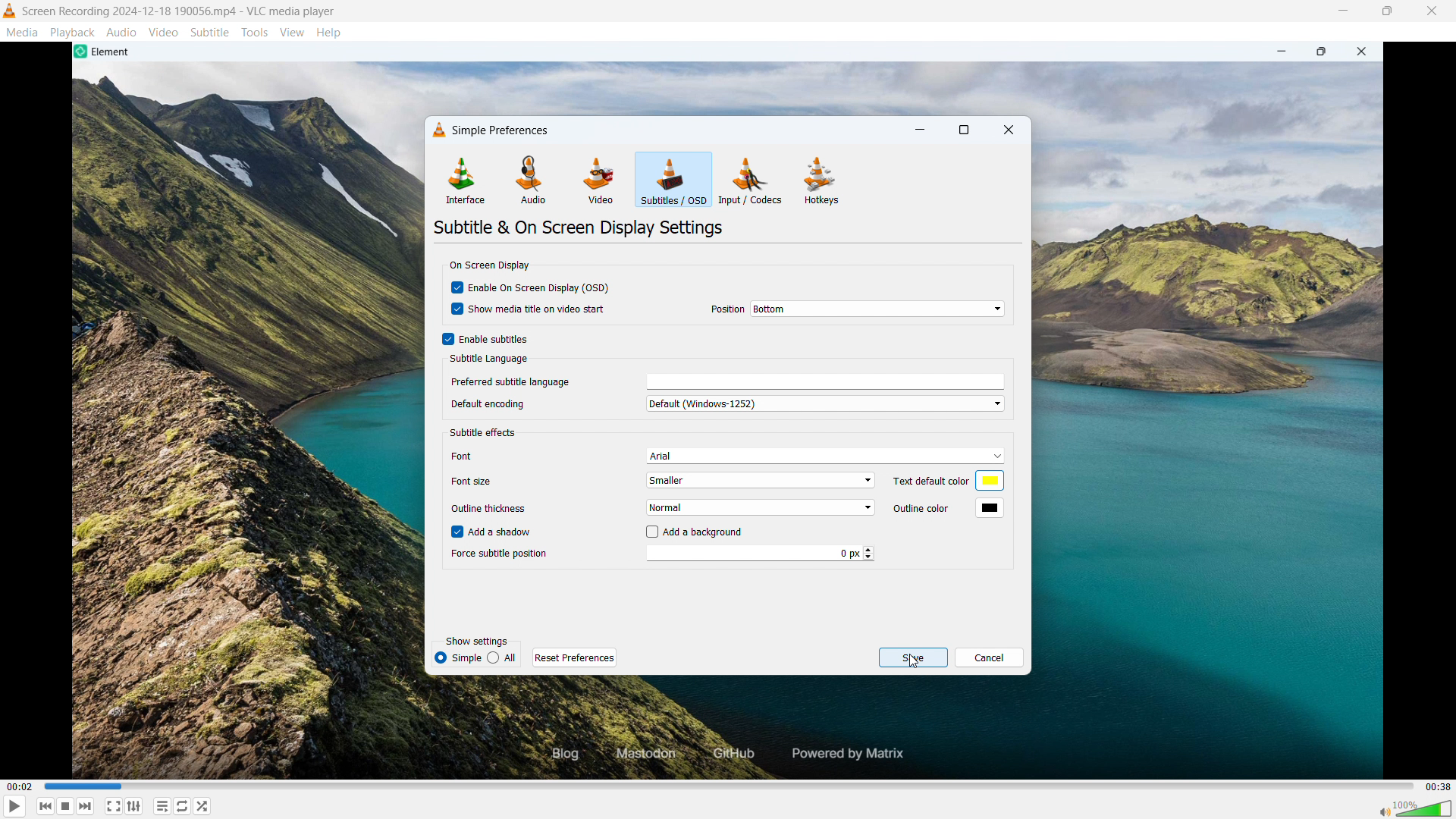 The image size is (1456, 819). Describe the element at coordinates (989, 482) in the screenshot. I see `Default text colour changed to yellow ` at that location.